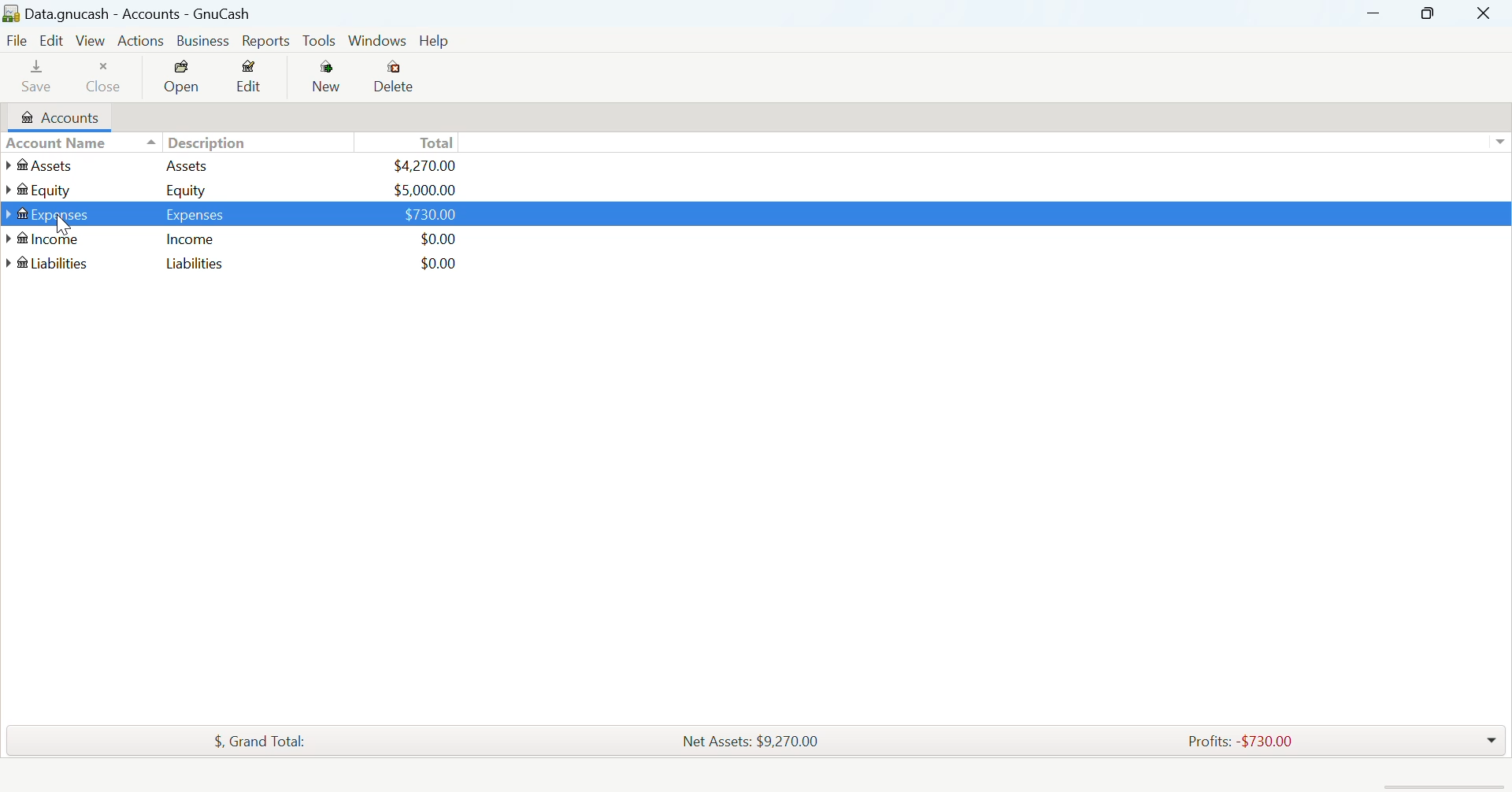 The image size is (1512, 792). I want to click on Save, so click(33, 80).